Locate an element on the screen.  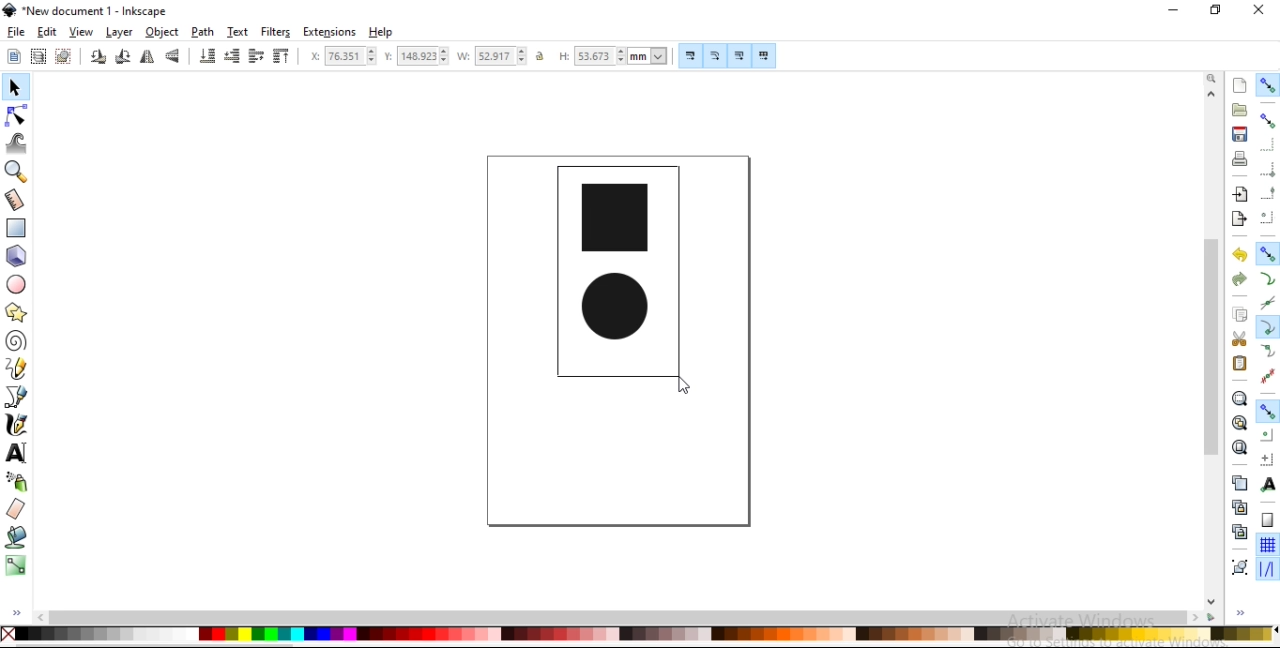
raise selection to top is located at coordinates (282, 57).